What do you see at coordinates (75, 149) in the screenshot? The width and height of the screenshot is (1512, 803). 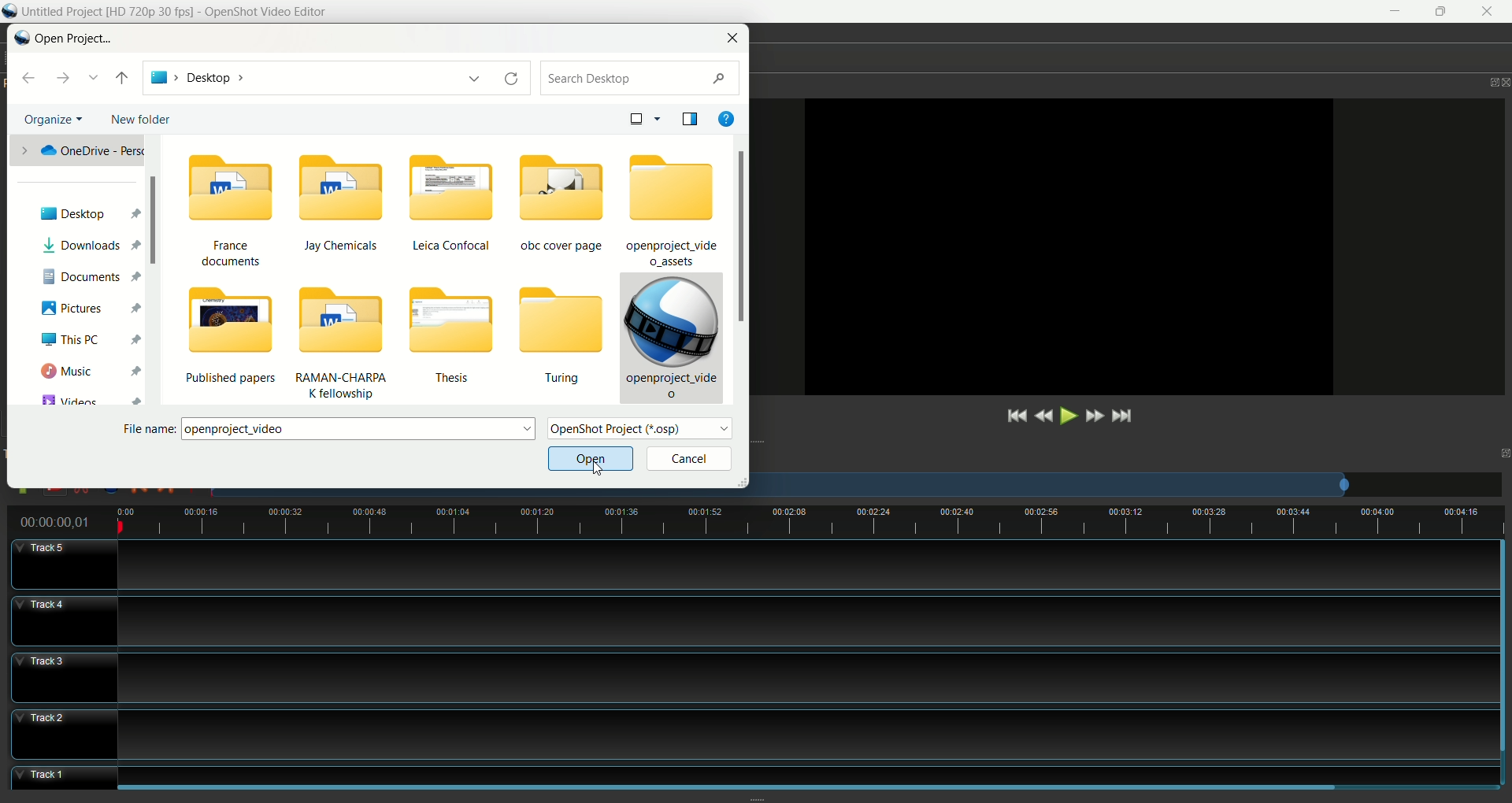 I see `OneDrive` at bounding box center [75, 149].